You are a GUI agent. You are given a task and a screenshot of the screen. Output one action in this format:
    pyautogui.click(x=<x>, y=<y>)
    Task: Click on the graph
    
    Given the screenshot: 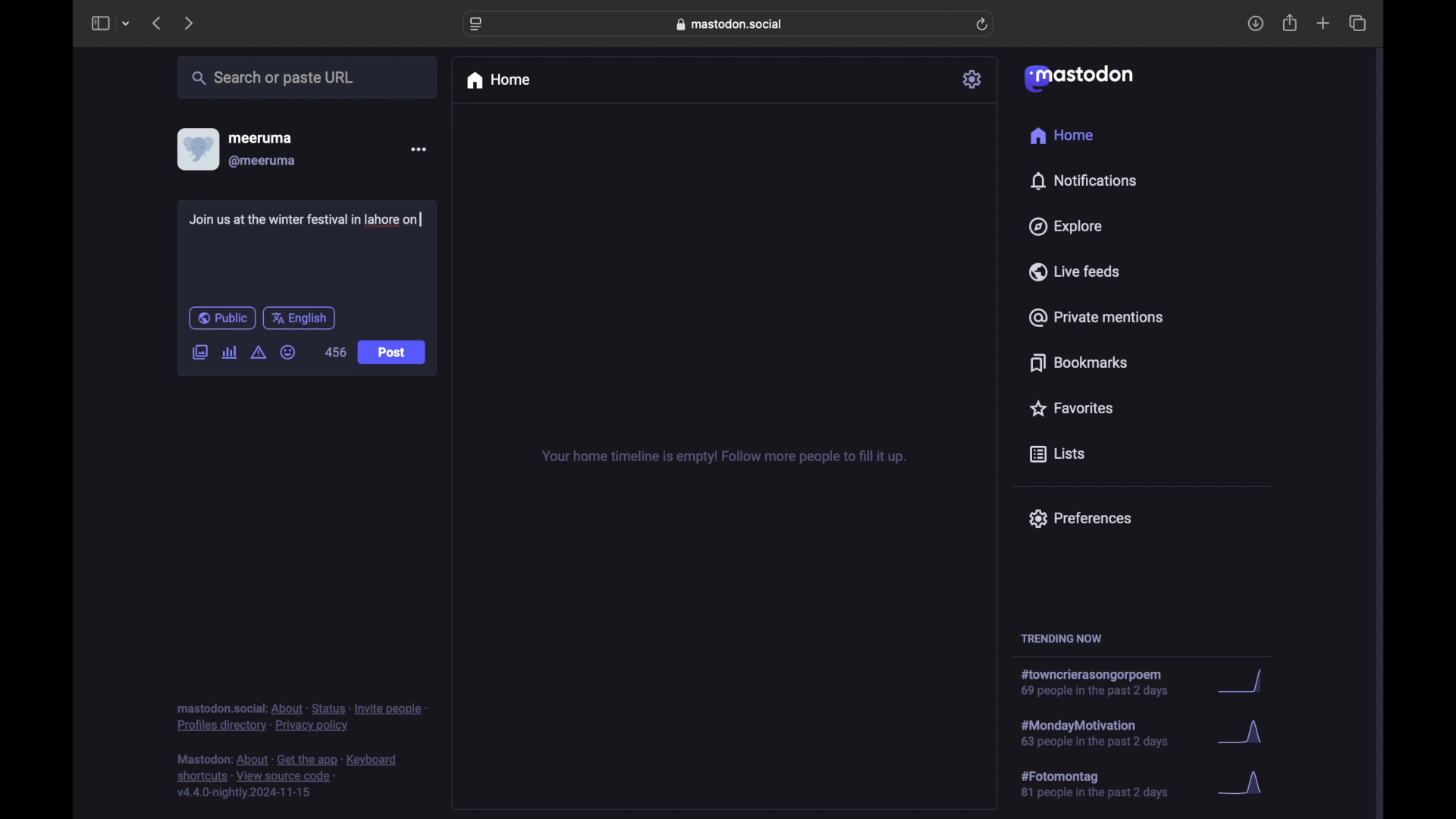 What is the action you would take?
    pyautogui.click(x=1245, y=784)
    